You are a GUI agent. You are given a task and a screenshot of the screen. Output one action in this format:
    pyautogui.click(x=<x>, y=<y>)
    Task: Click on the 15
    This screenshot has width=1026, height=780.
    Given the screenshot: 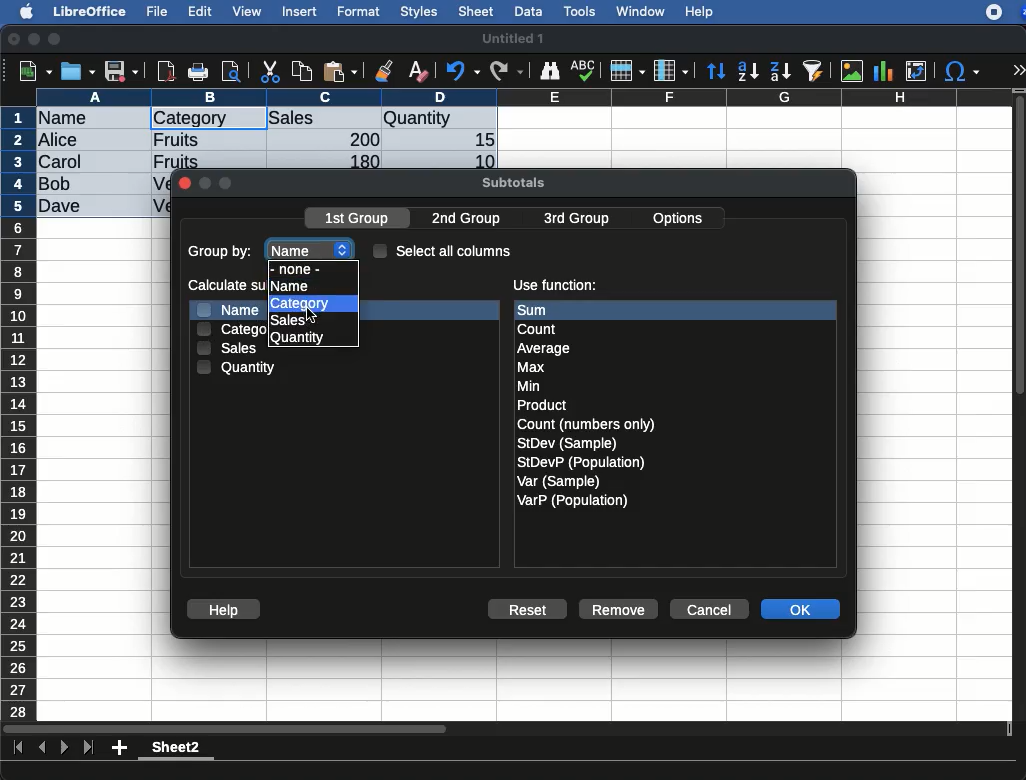 What is the action you would take?
    pyautogui.click(x=479, y=140)
    